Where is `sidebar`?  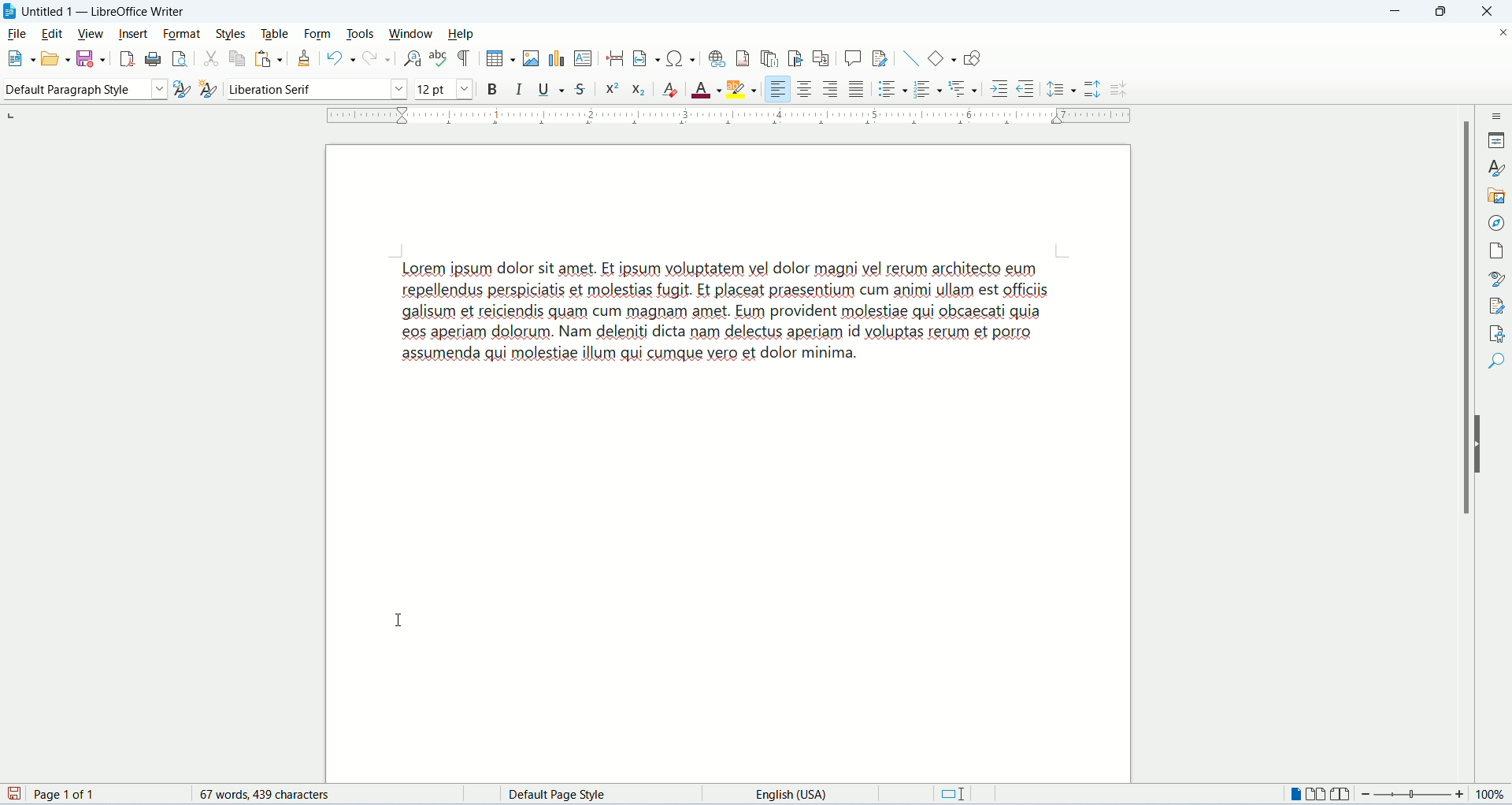
sidebar is located at coordinates (1496, 116).